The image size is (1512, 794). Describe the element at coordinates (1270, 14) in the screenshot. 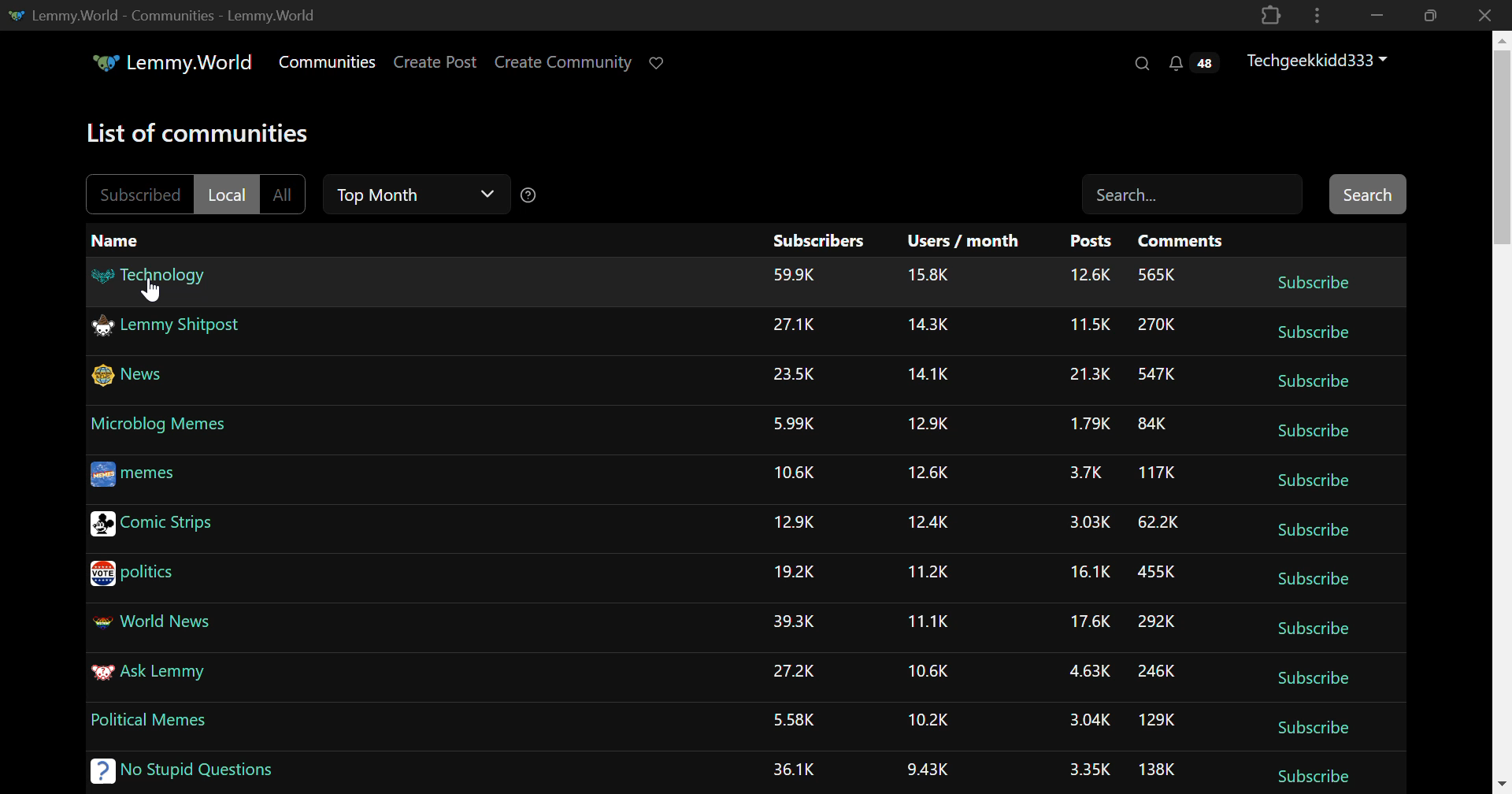

I see `Extensions` at that location.